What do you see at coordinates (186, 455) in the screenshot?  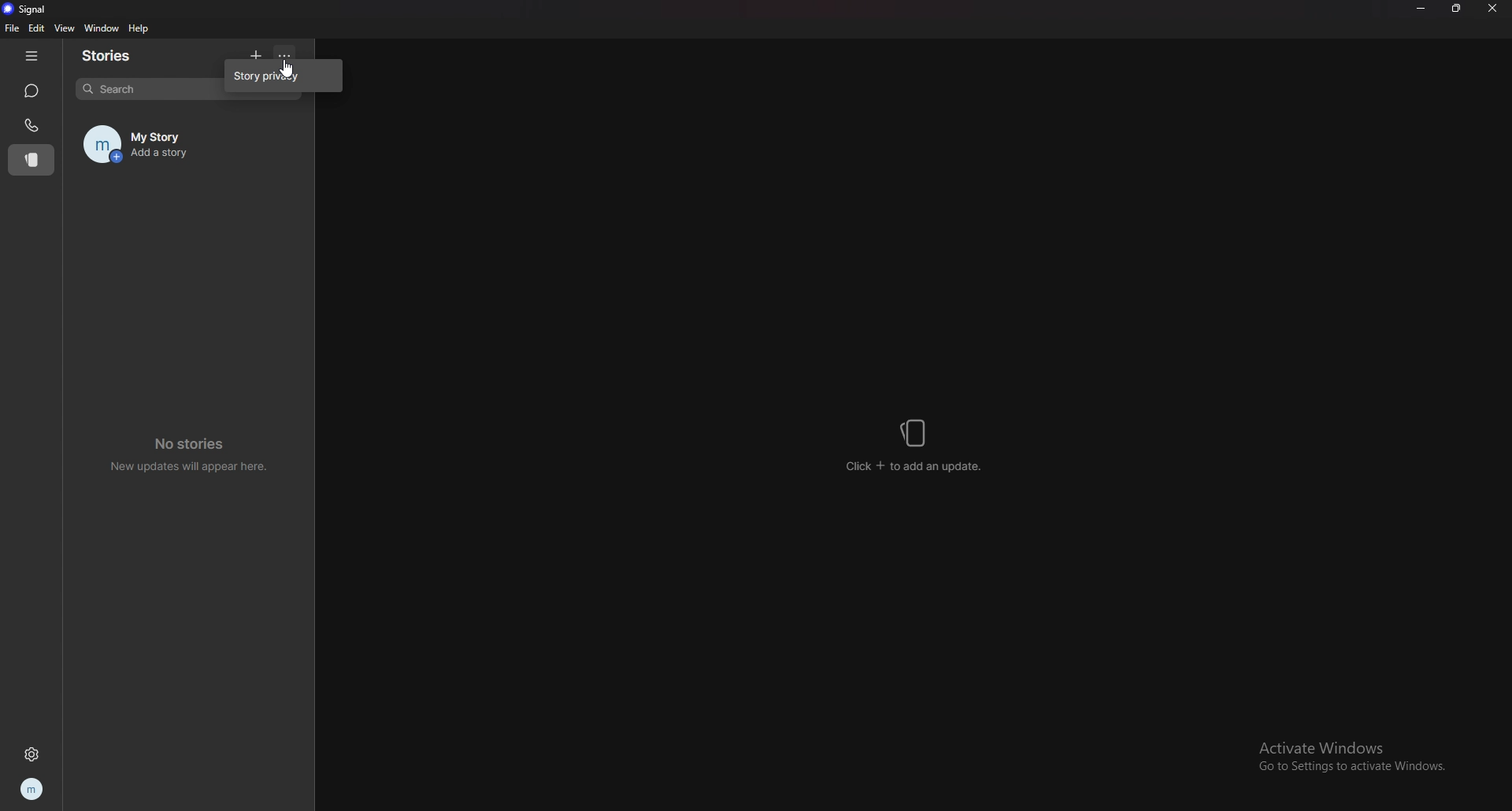 I see `no stories new updates will appear here` at bounding box center [186, 455].